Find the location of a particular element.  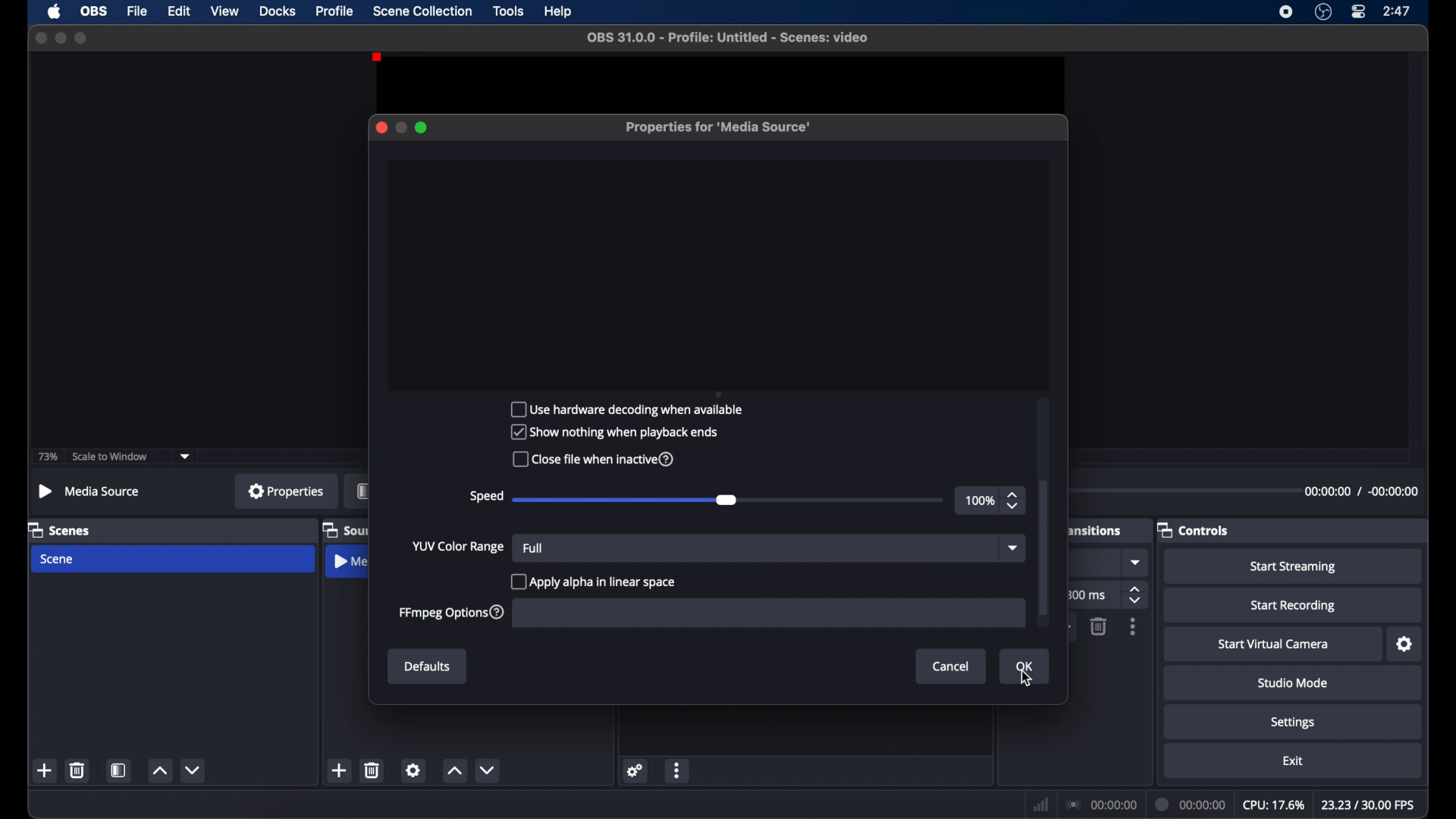

scenes is located at coordinates (59, 531).